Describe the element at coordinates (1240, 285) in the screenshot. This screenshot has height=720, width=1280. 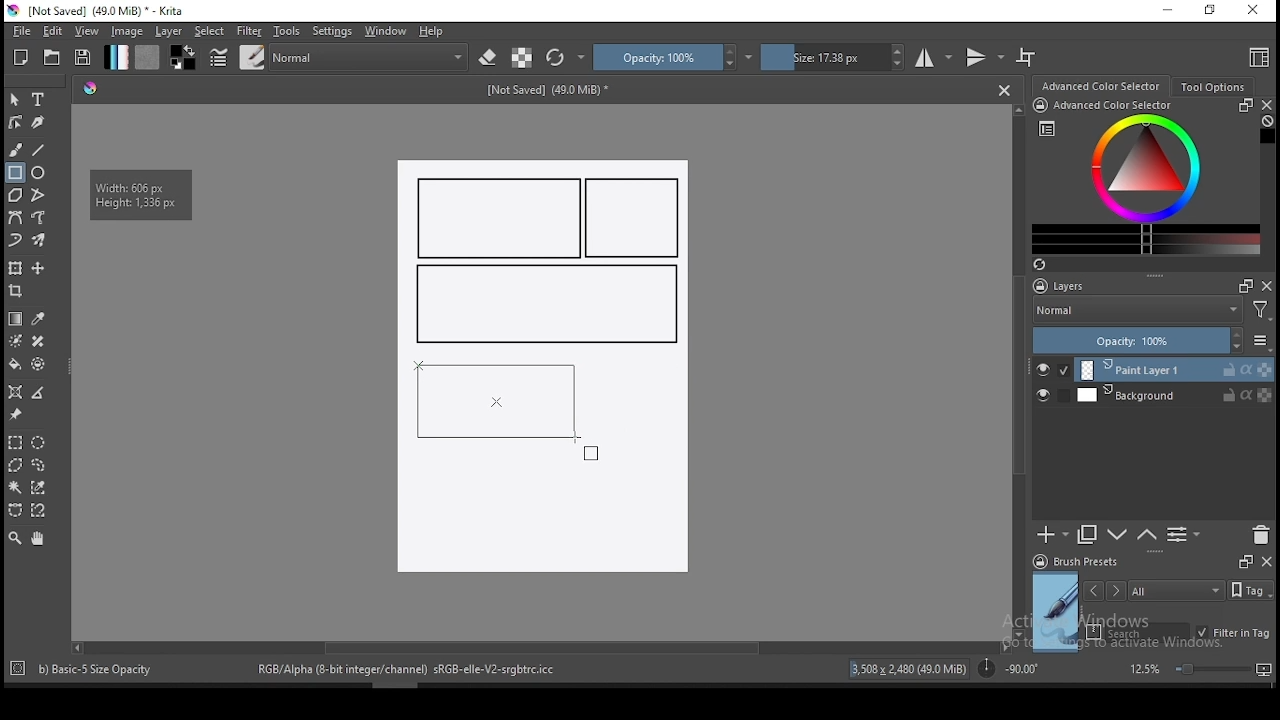
I see `Frames` at that location.